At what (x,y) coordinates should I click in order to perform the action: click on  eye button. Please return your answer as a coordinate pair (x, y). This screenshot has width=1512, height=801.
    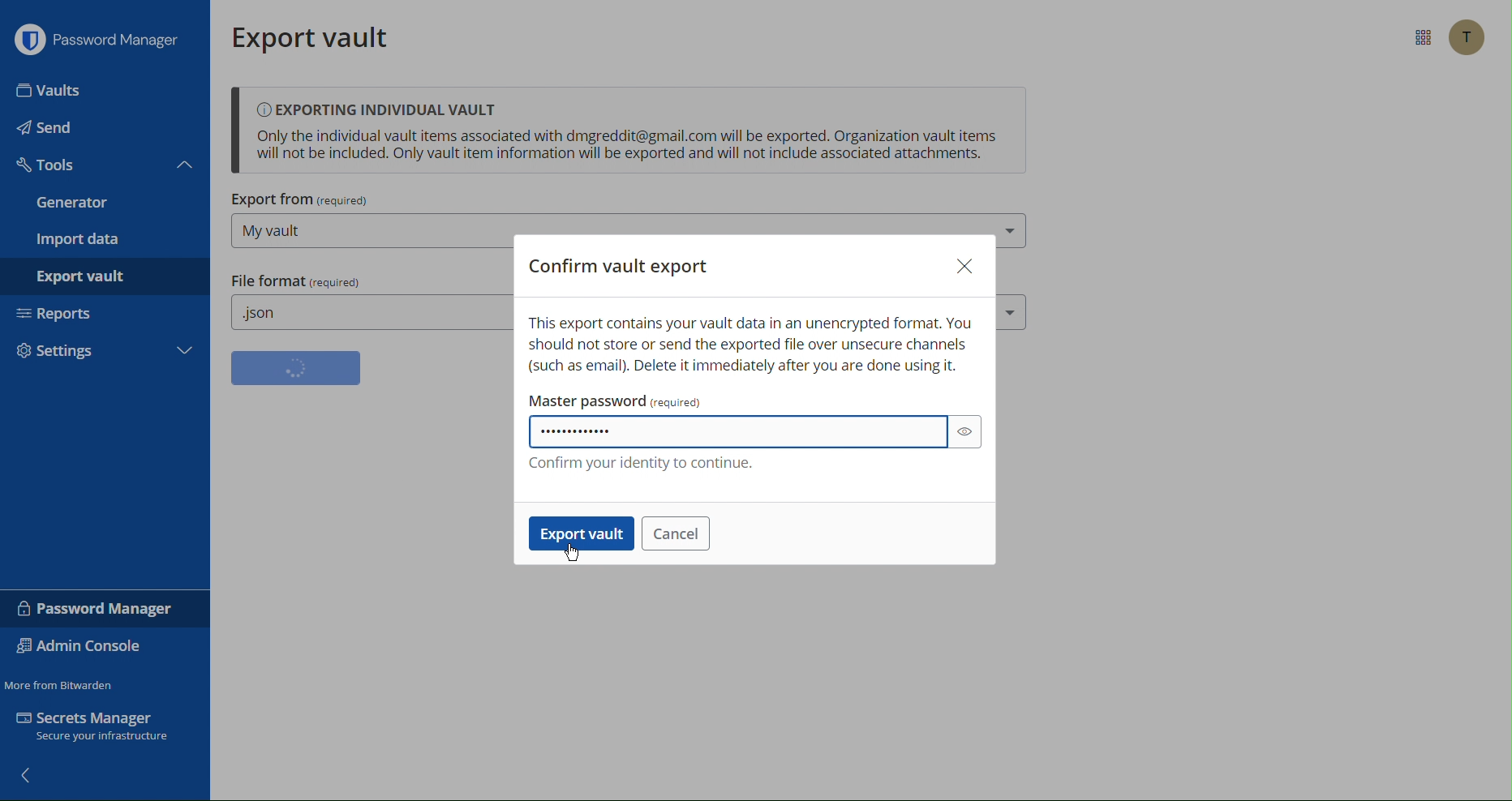
    Looking at the image, I should click on (969, 434).